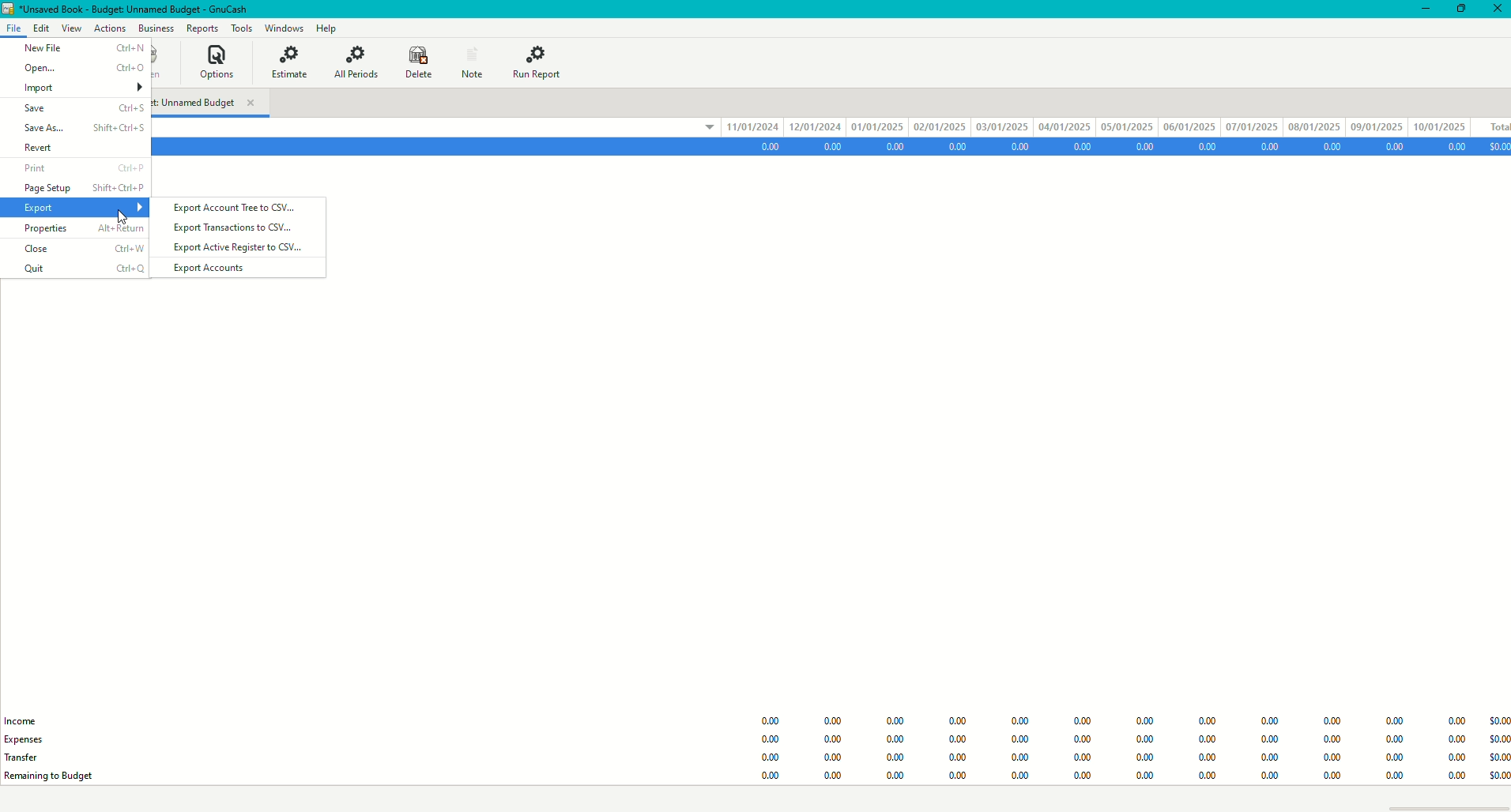  What do you see at coordinates (82, 269) in the screenshot?
I see `Quit` at bounding box center [82, 269].